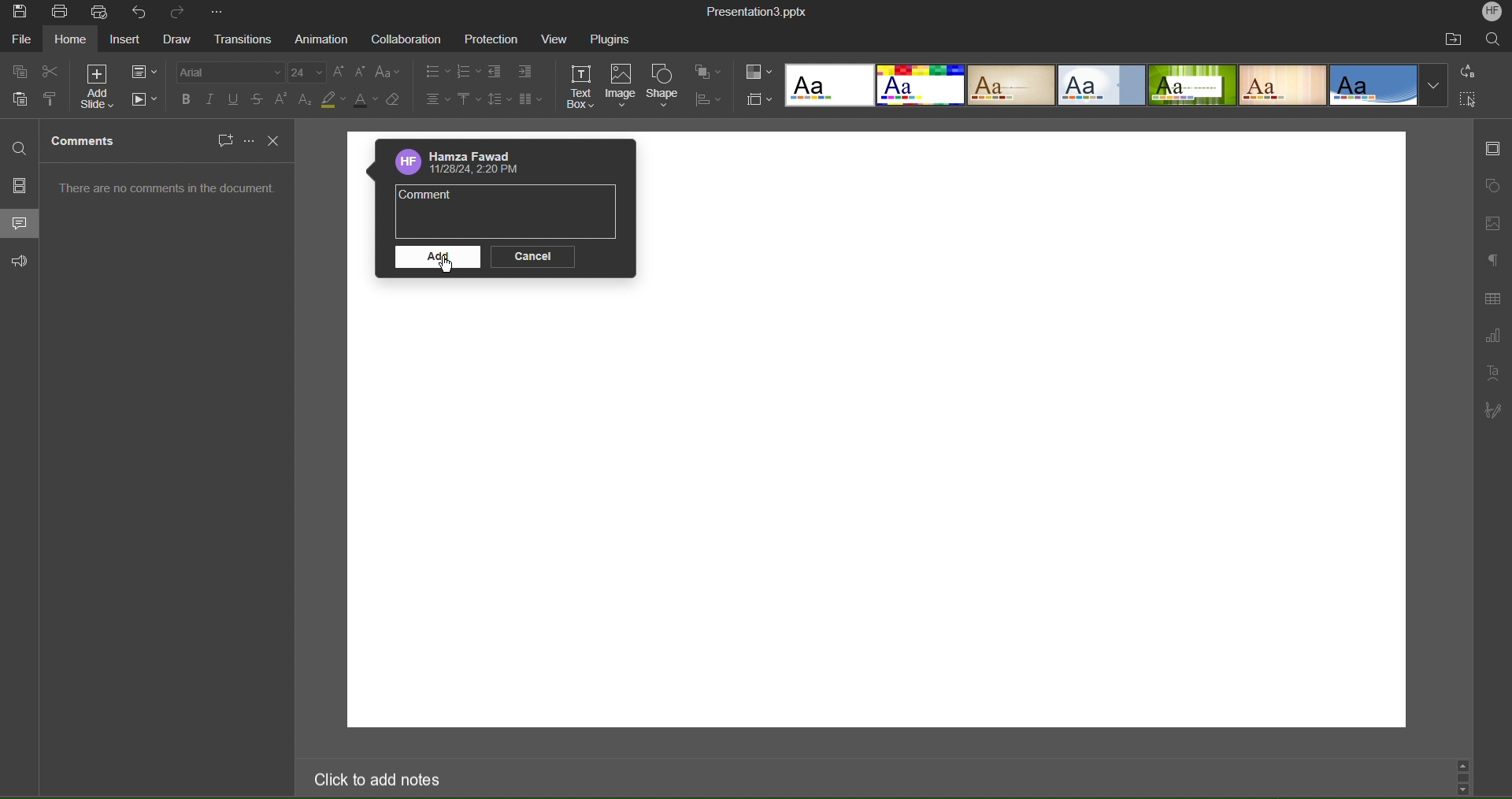 This screenshot has height=799, width=1512. I want to click on Protection, so click(493, 40).